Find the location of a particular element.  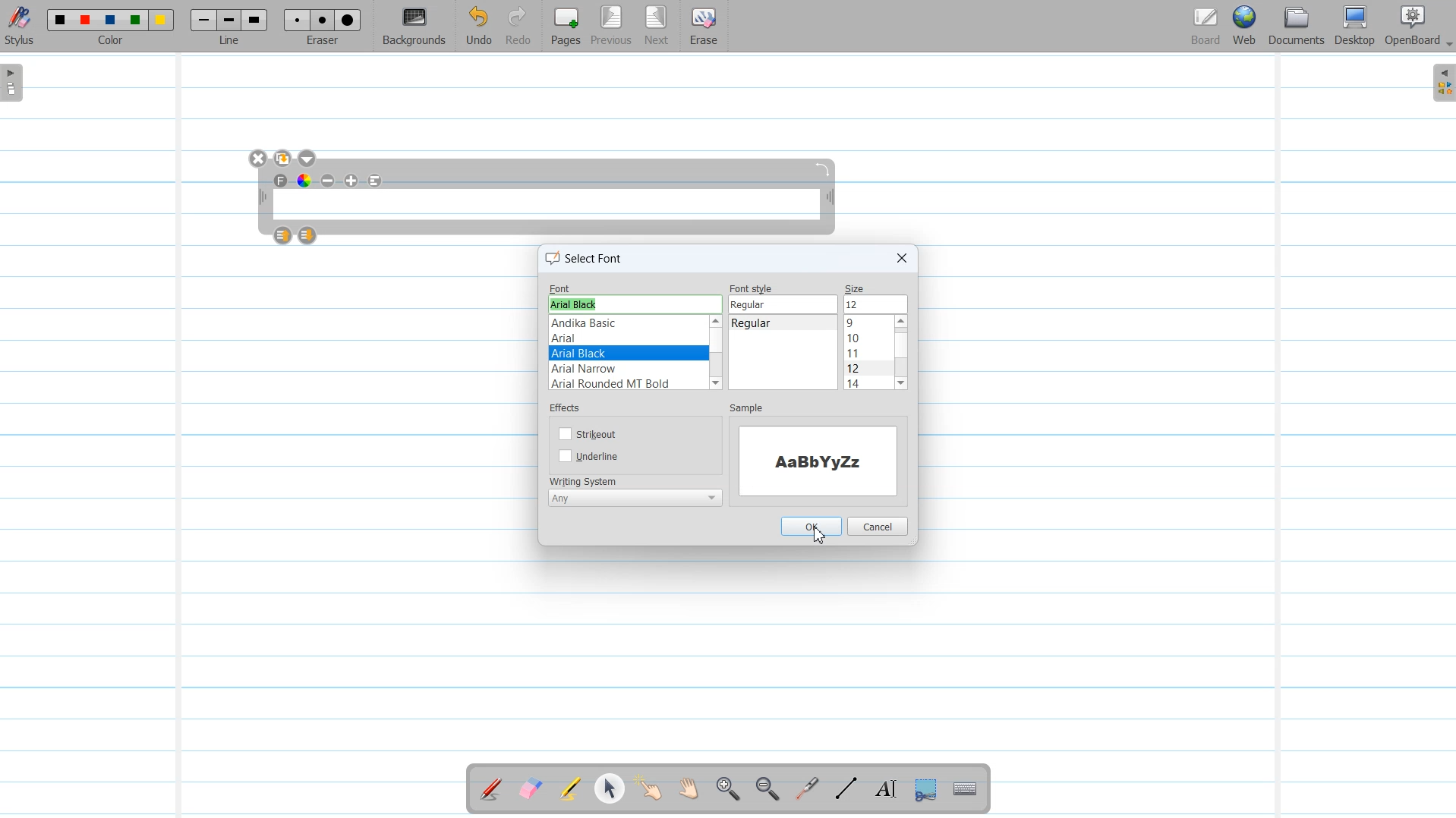

Drop Down Box is located at coordinates (1447, 45).